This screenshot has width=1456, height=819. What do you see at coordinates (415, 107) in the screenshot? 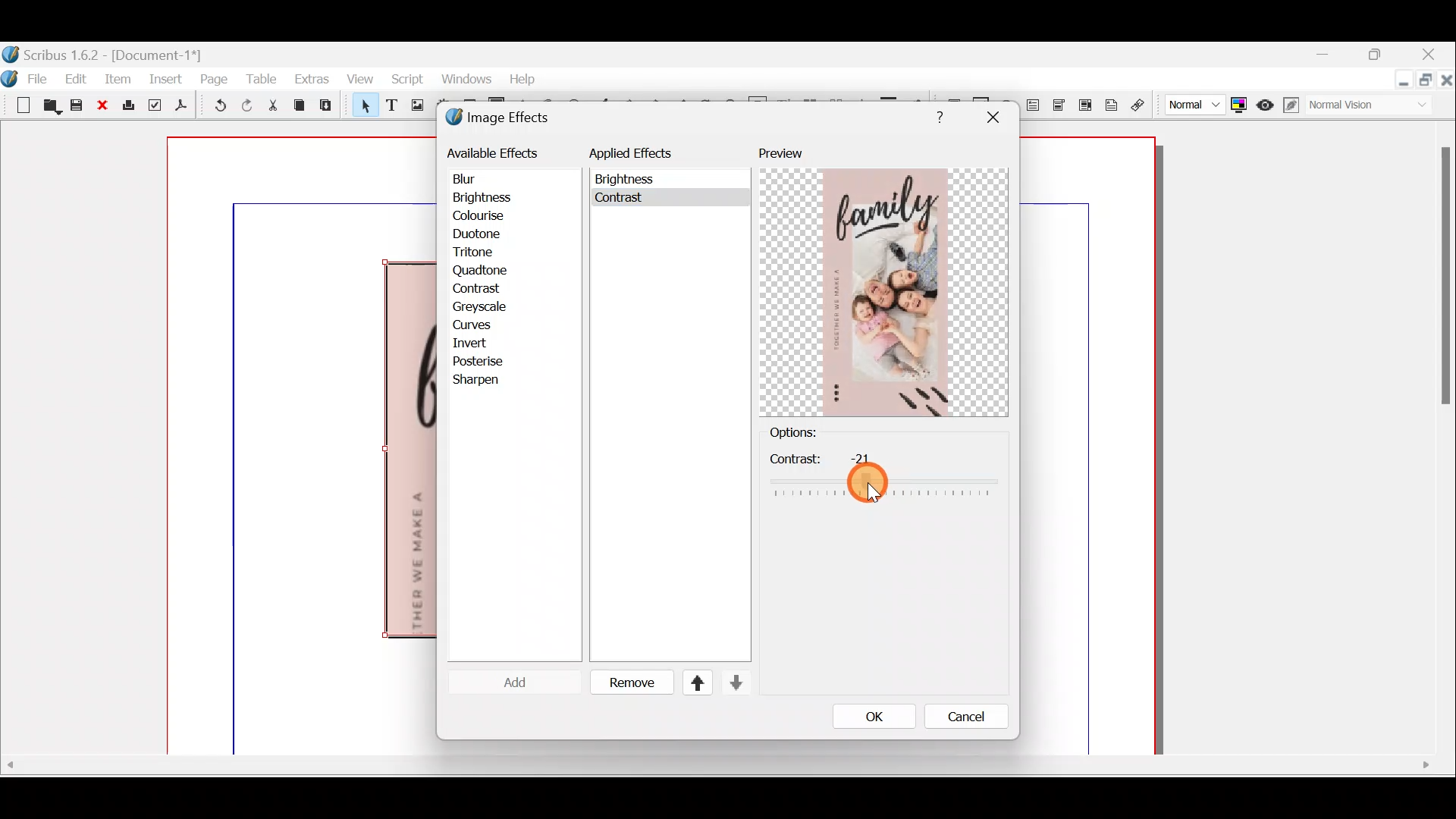
I see `Image frame` at bounding box center [415, 107].